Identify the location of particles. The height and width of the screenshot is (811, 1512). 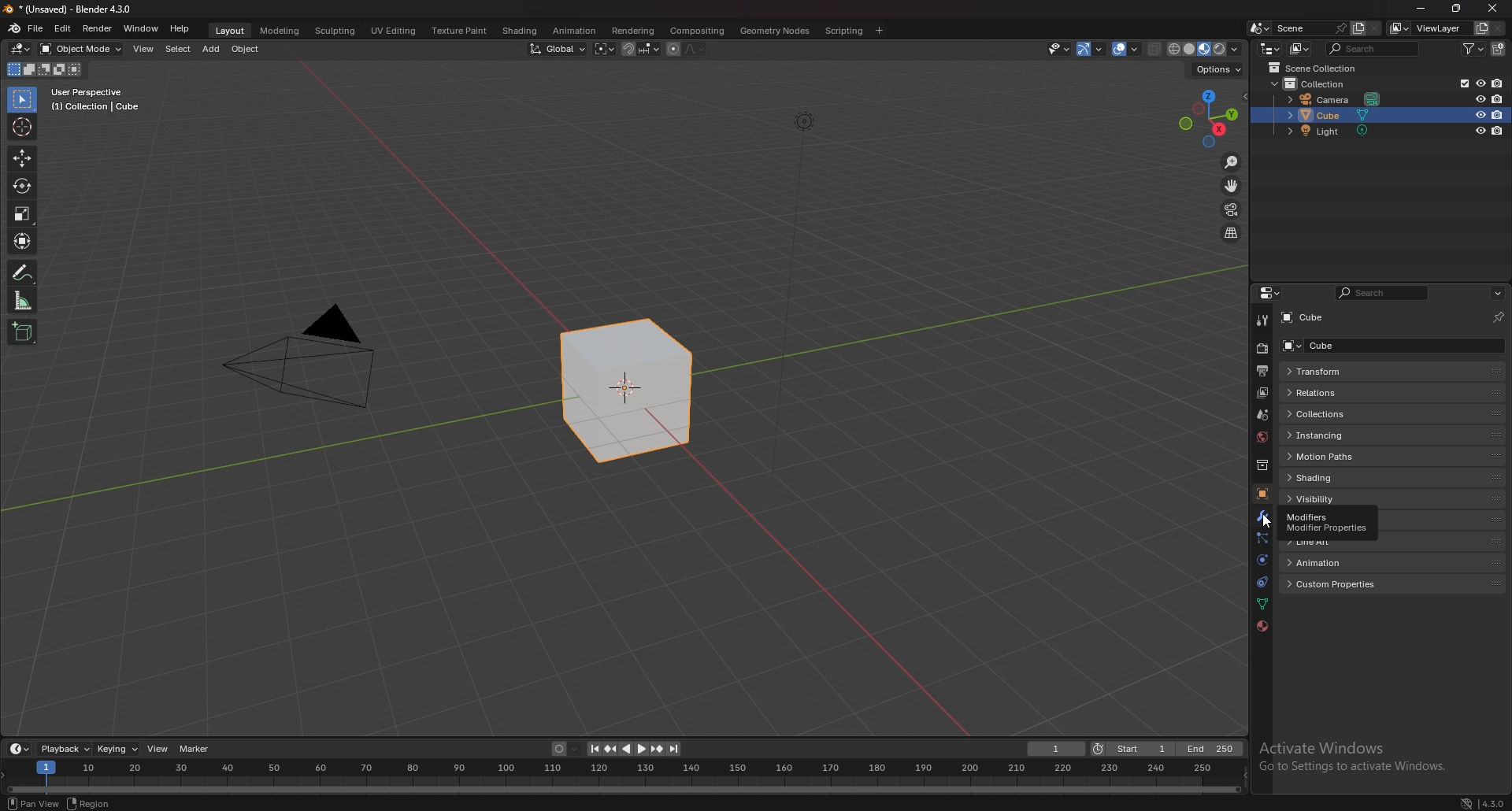
(1262, 537).